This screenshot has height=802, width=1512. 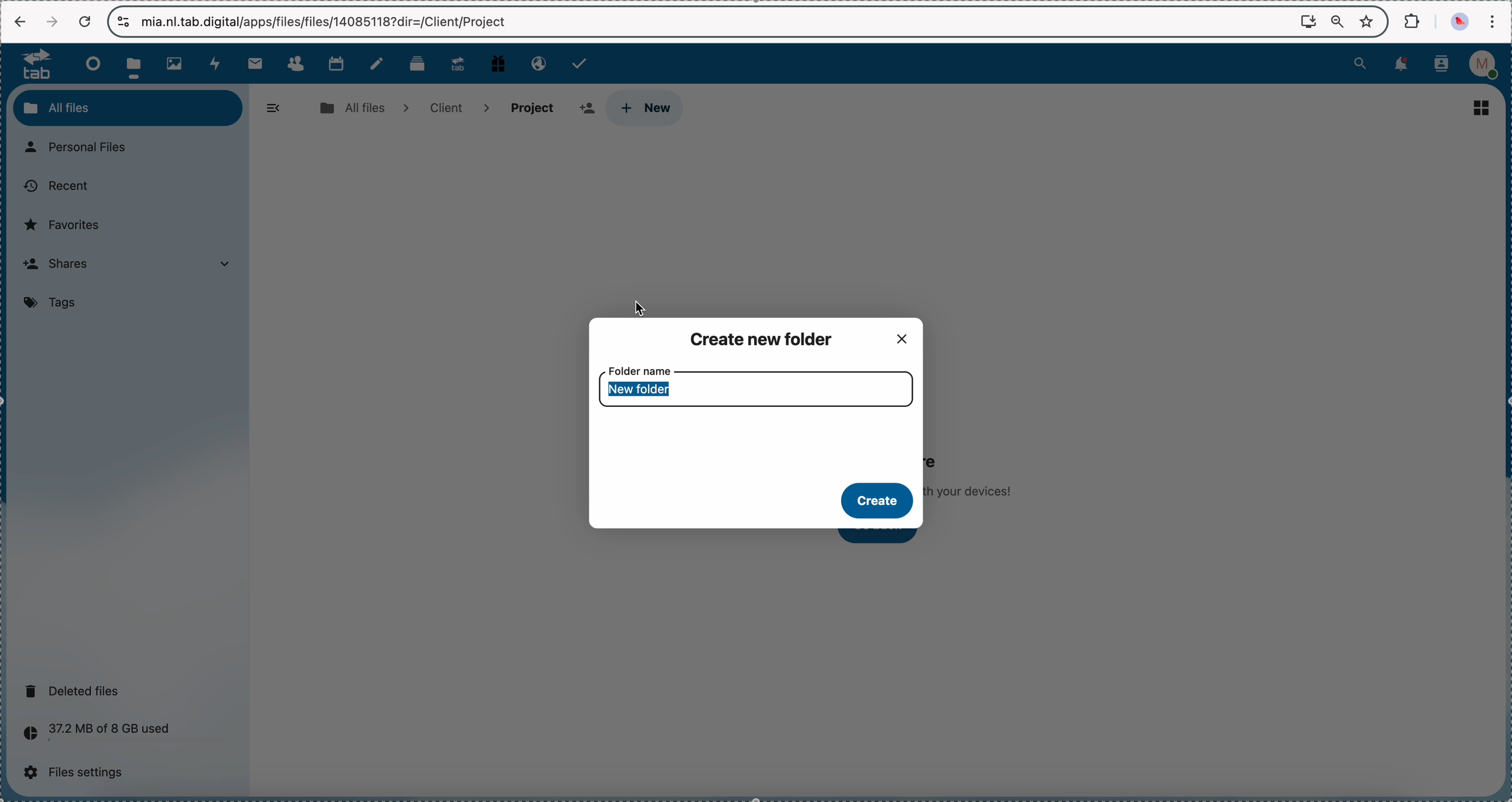 What do you see at coordinates (84, 22) in the screenshot?
I see `cancel` at bounding box center [84, 22].